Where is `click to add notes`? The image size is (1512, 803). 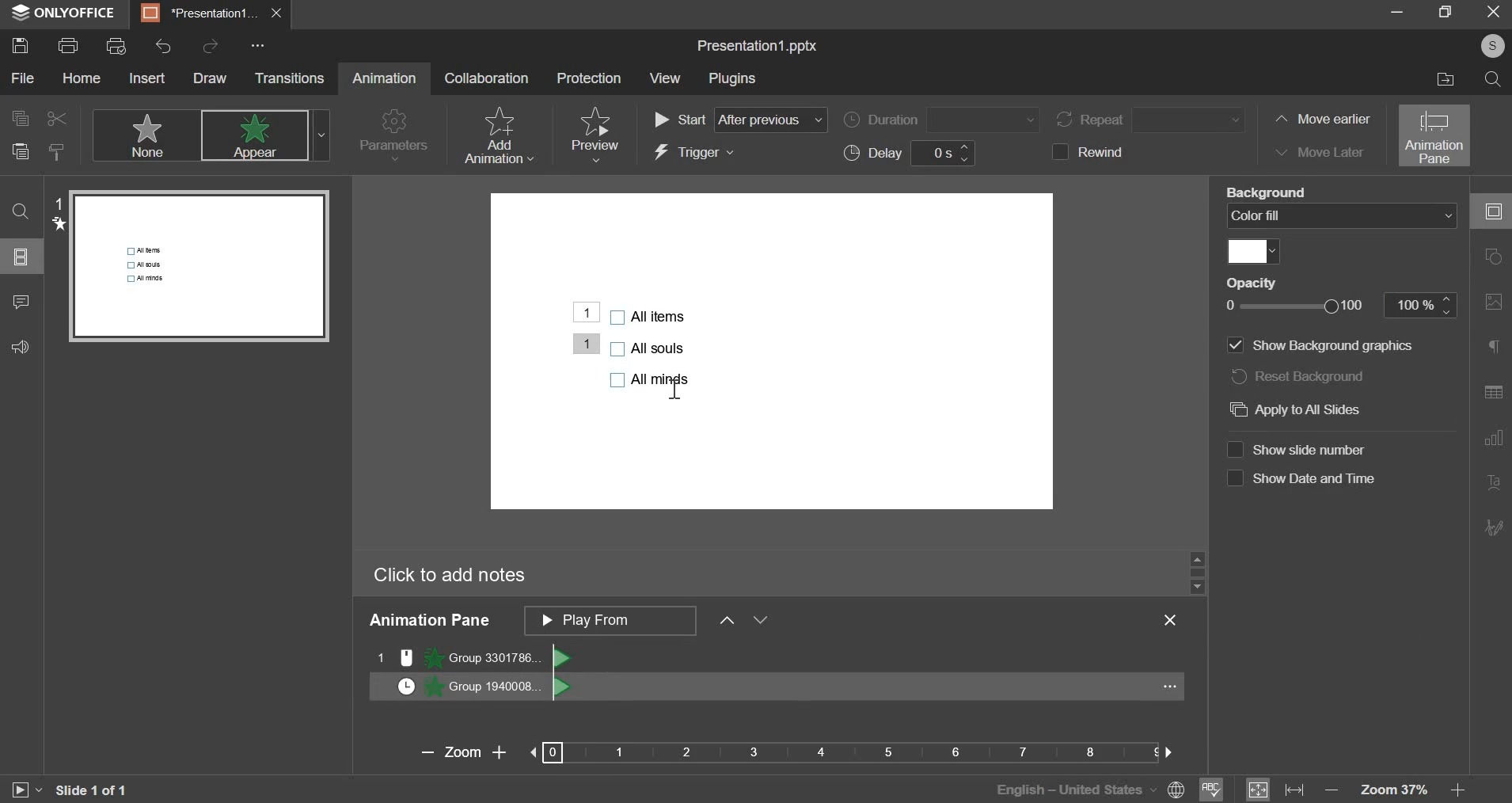
click to add notes is located at coordinates (450, 576).